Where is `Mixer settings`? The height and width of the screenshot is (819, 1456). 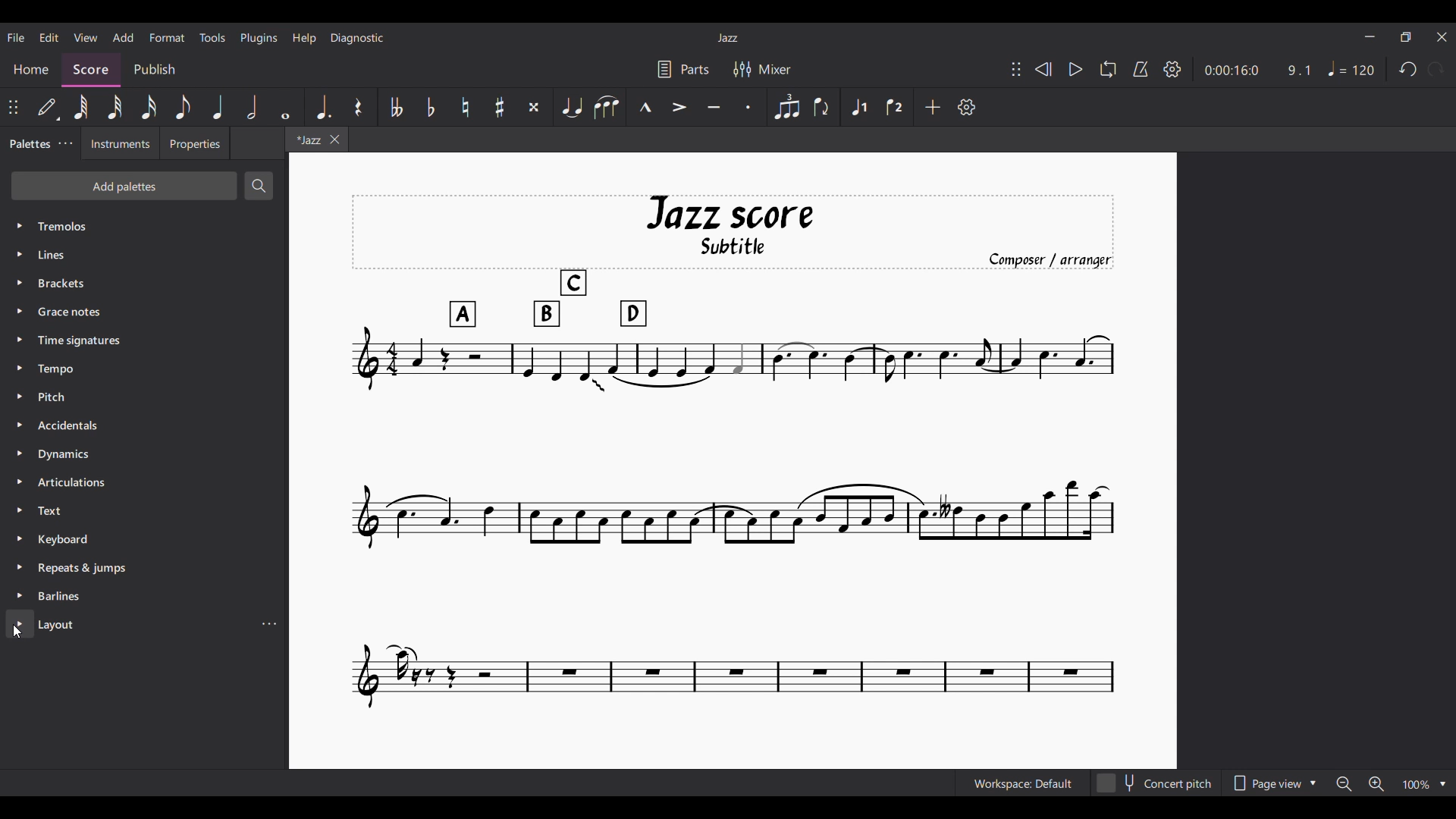 Mixer settings is located at coordinates (762, 70).